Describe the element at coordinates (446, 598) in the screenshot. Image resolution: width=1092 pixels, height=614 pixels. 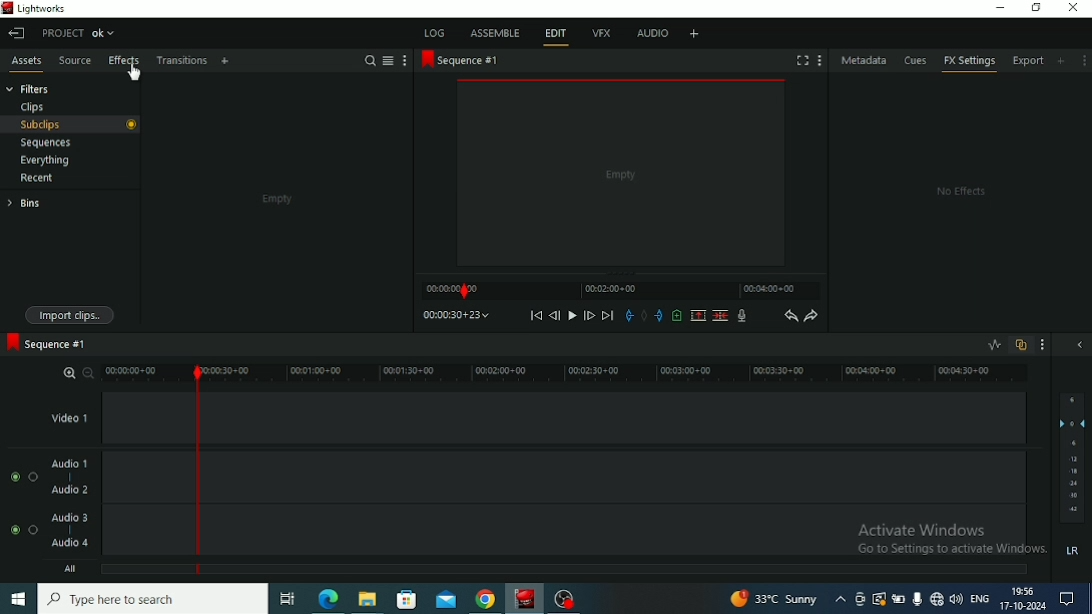
I see `Mail` at that location.